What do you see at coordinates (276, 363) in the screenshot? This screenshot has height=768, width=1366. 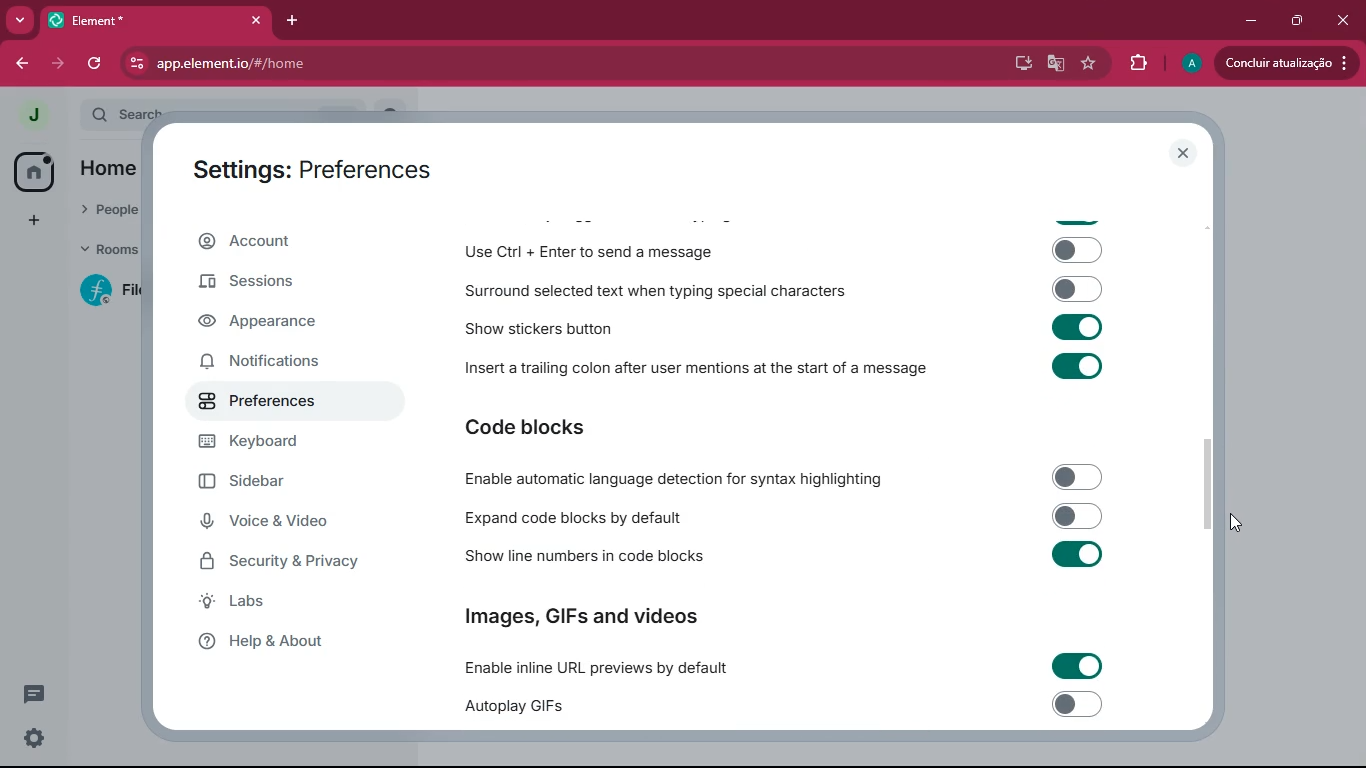 I see `notifications` at bounding box center [276, 363].